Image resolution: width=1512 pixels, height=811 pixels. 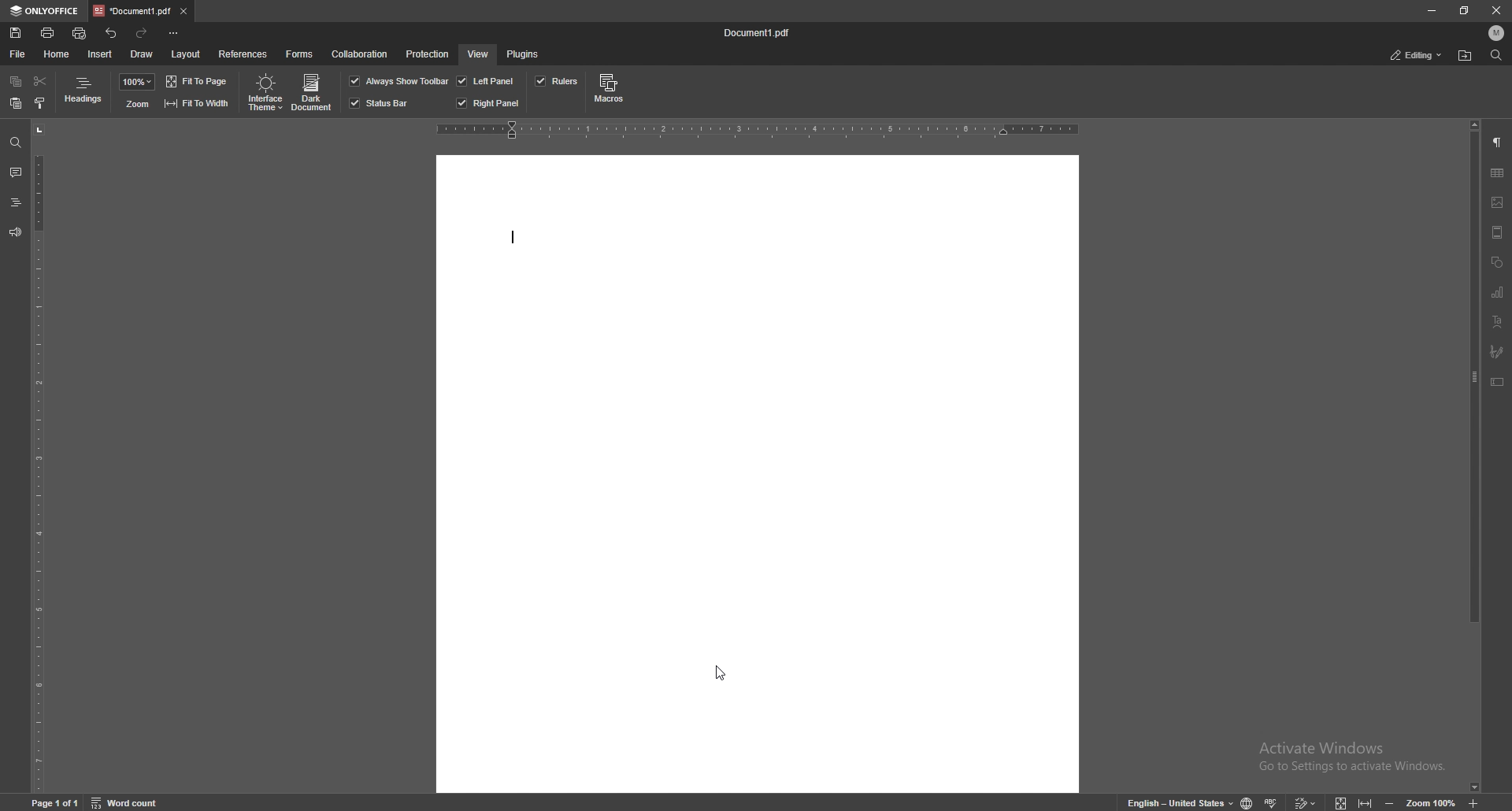 I want to click on image, so click(x=1498, y=202).